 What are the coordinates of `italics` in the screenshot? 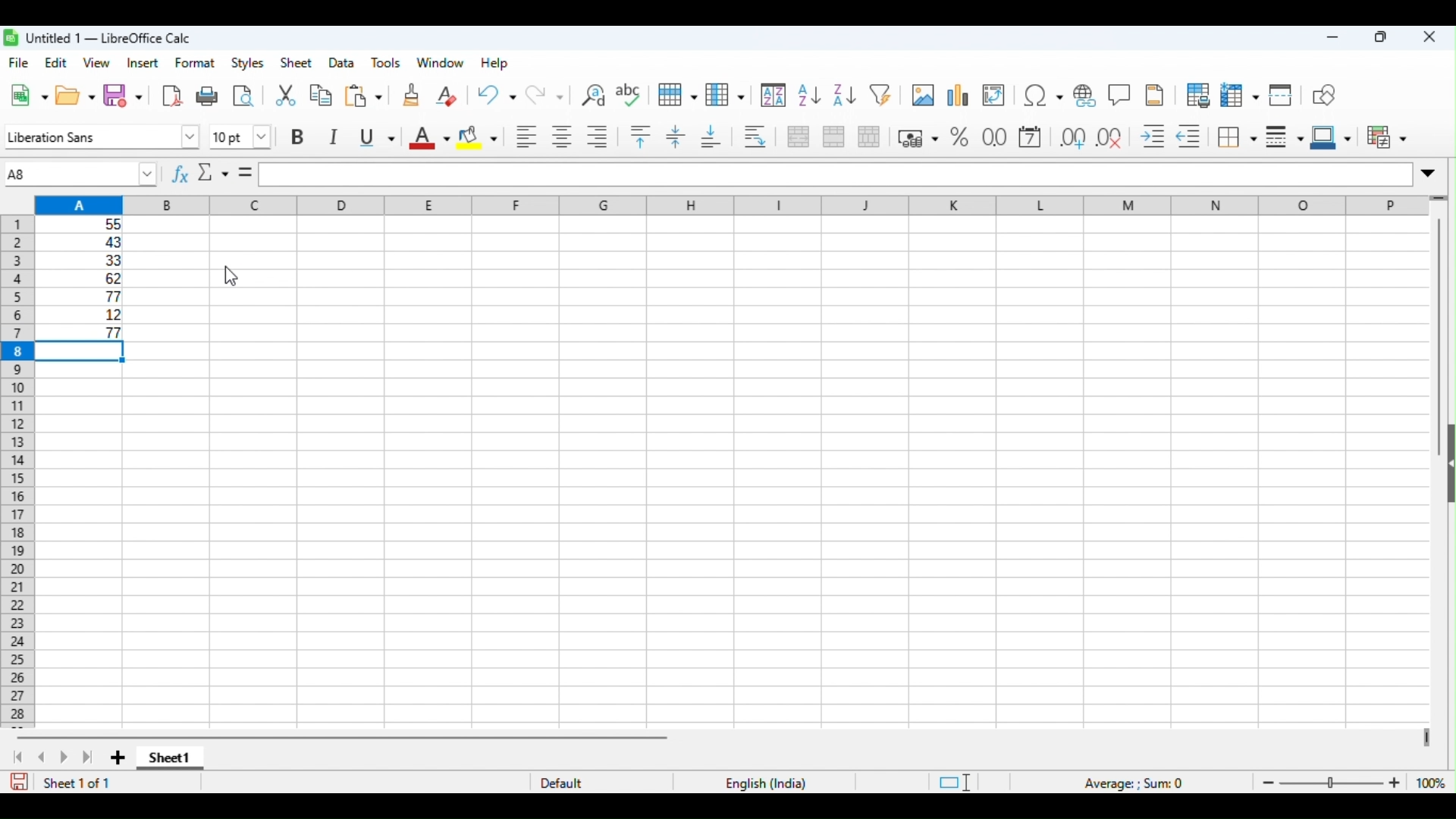 It's located at (337, 139).